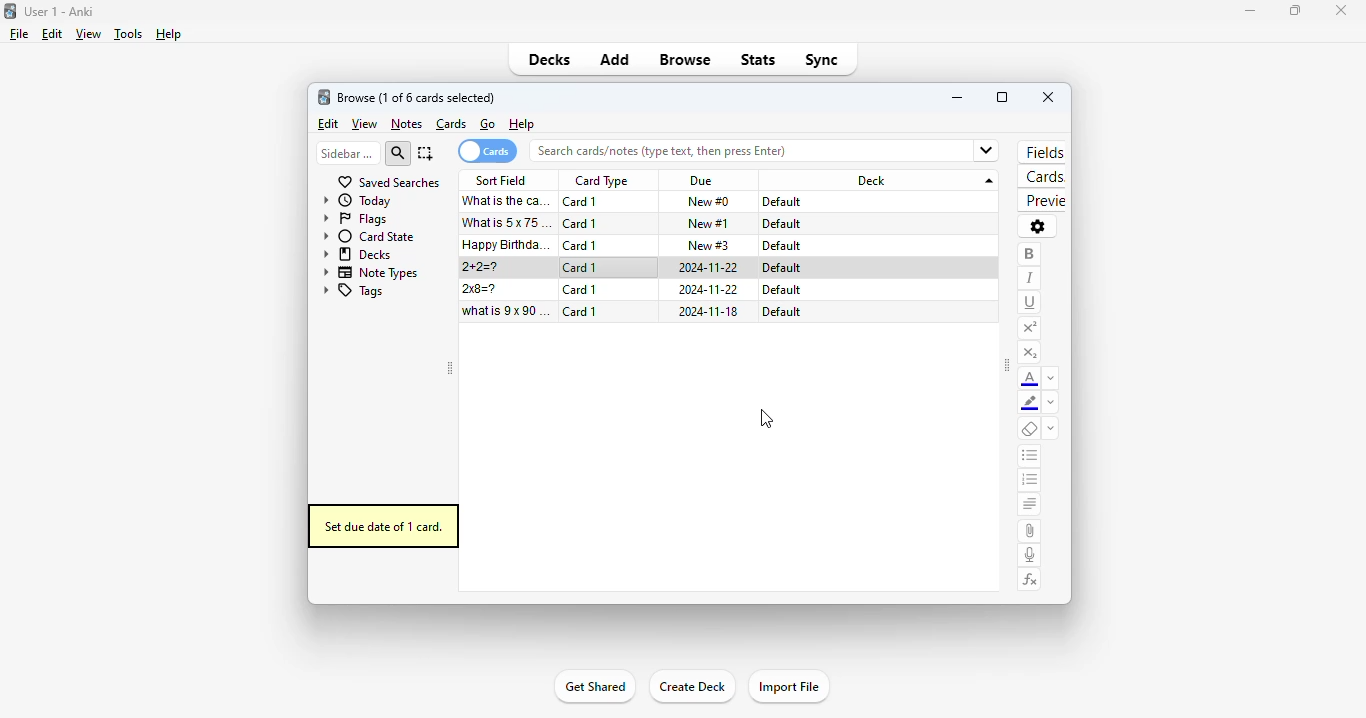 The image size is (1366, 718). What do you see at coordinates (781, 268) in the screenshot?
I see `default` at bounding box center [781, 268].